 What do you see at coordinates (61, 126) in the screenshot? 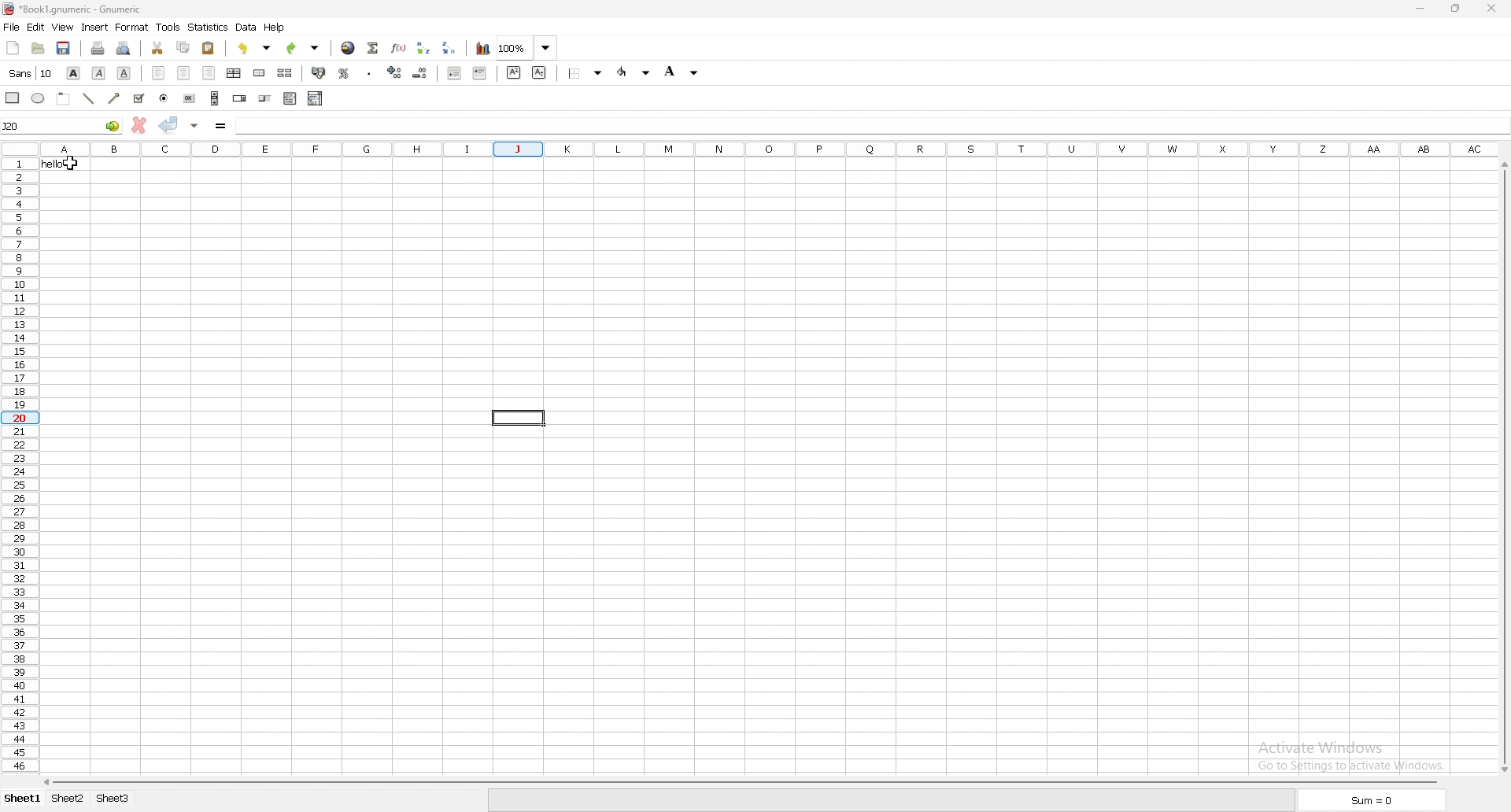
I see `J20` at bounding box center [61, 126].